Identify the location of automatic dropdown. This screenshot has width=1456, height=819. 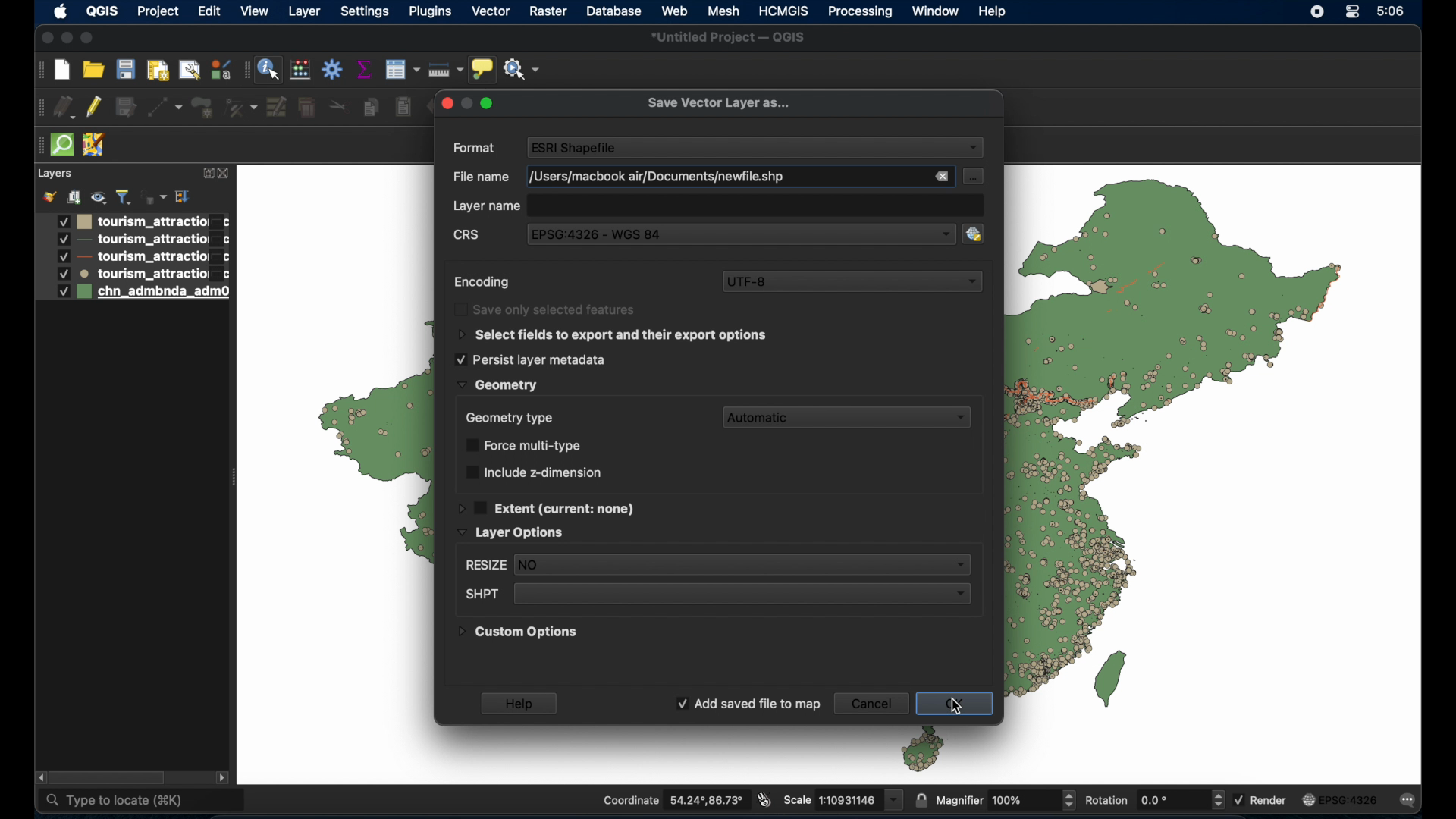
(851, 417).